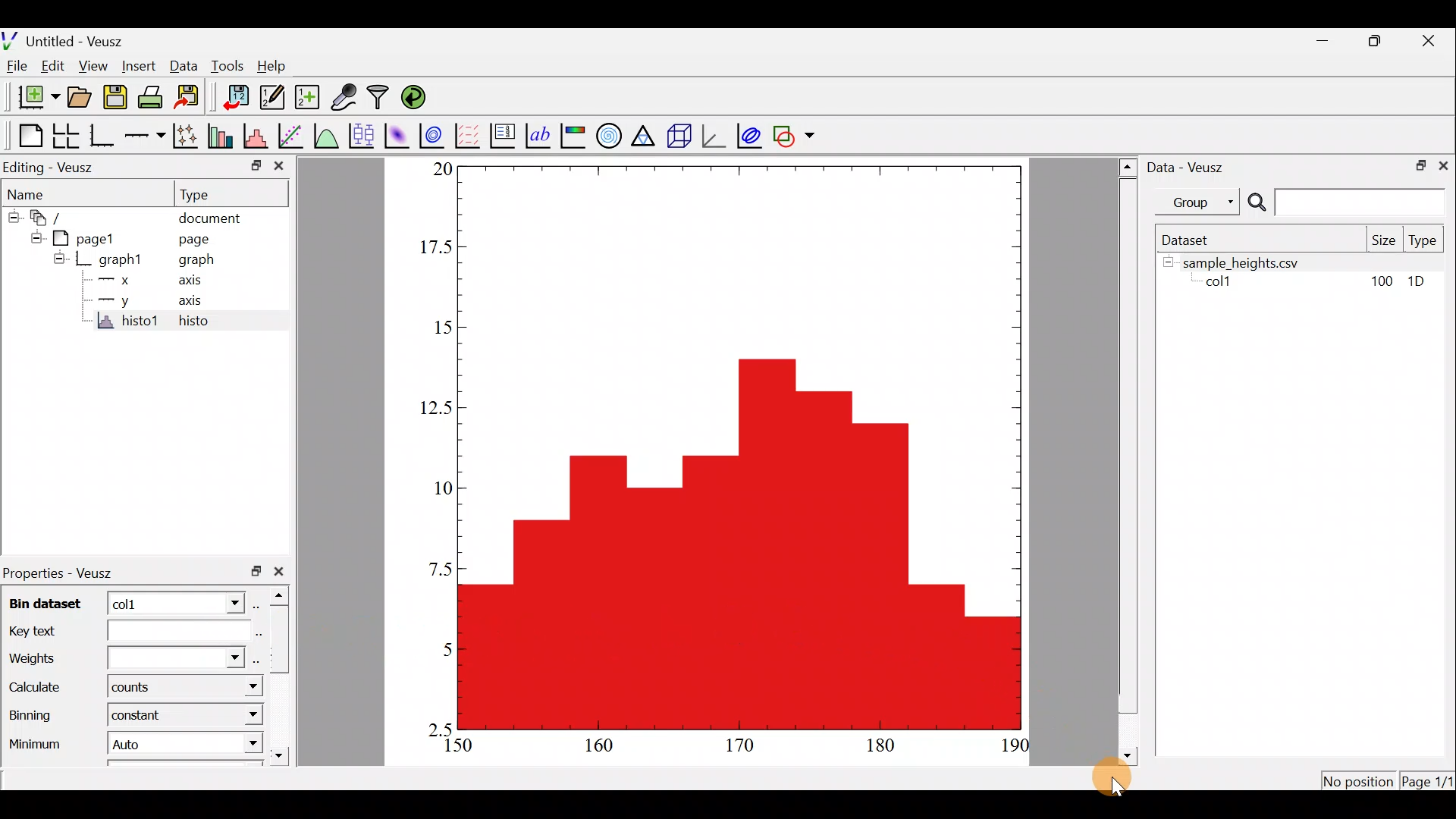 The image size is (1456, 819). Describe the element at coordinates (234, 96) in the screenshot. I see `import data into Veusz` at that location.